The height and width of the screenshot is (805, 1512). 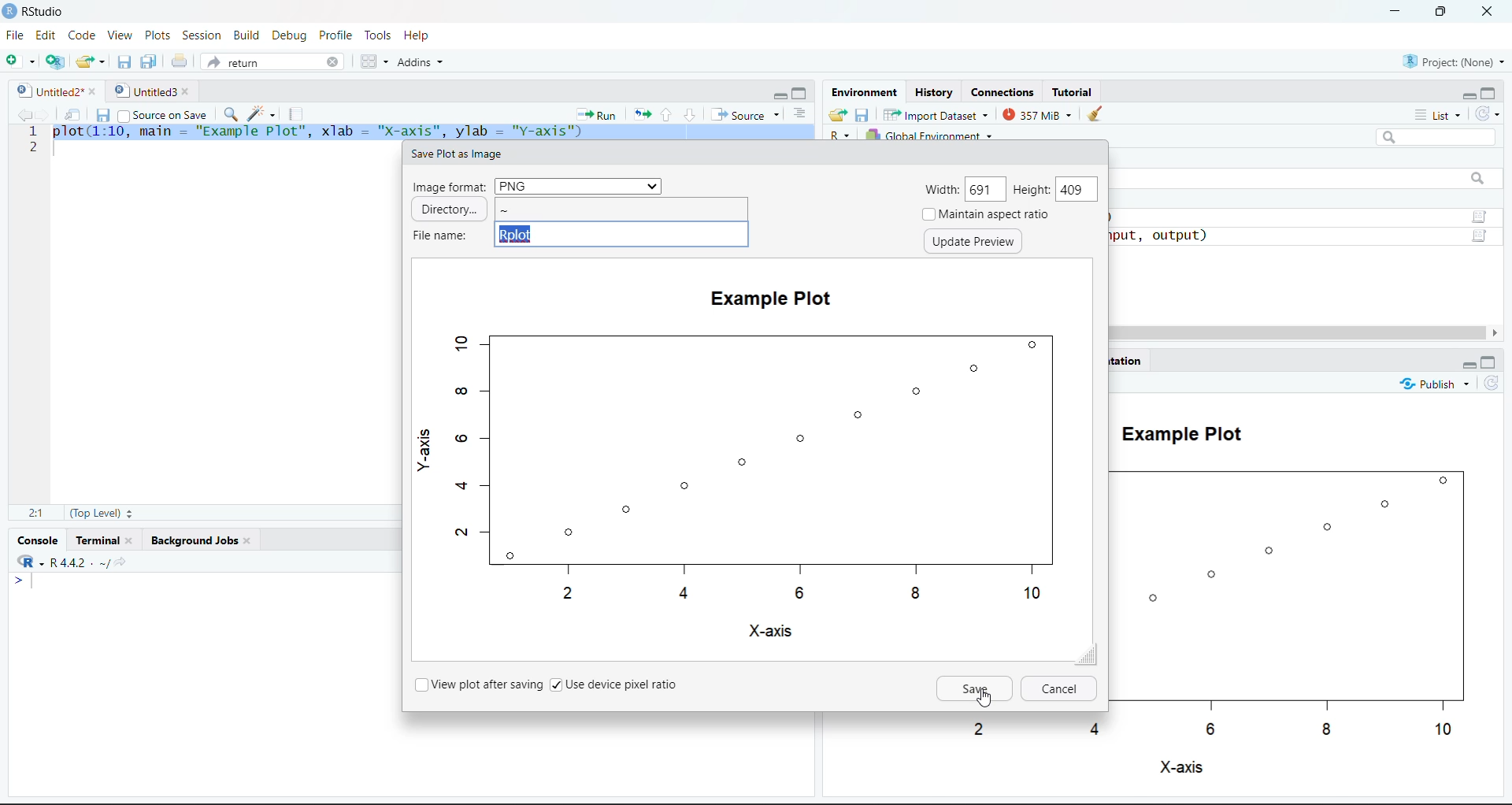 What do you see at coordinates (1489, 92) in the screenshot?
I see `Maximize/Restore` at bounding box center [1489, 92].